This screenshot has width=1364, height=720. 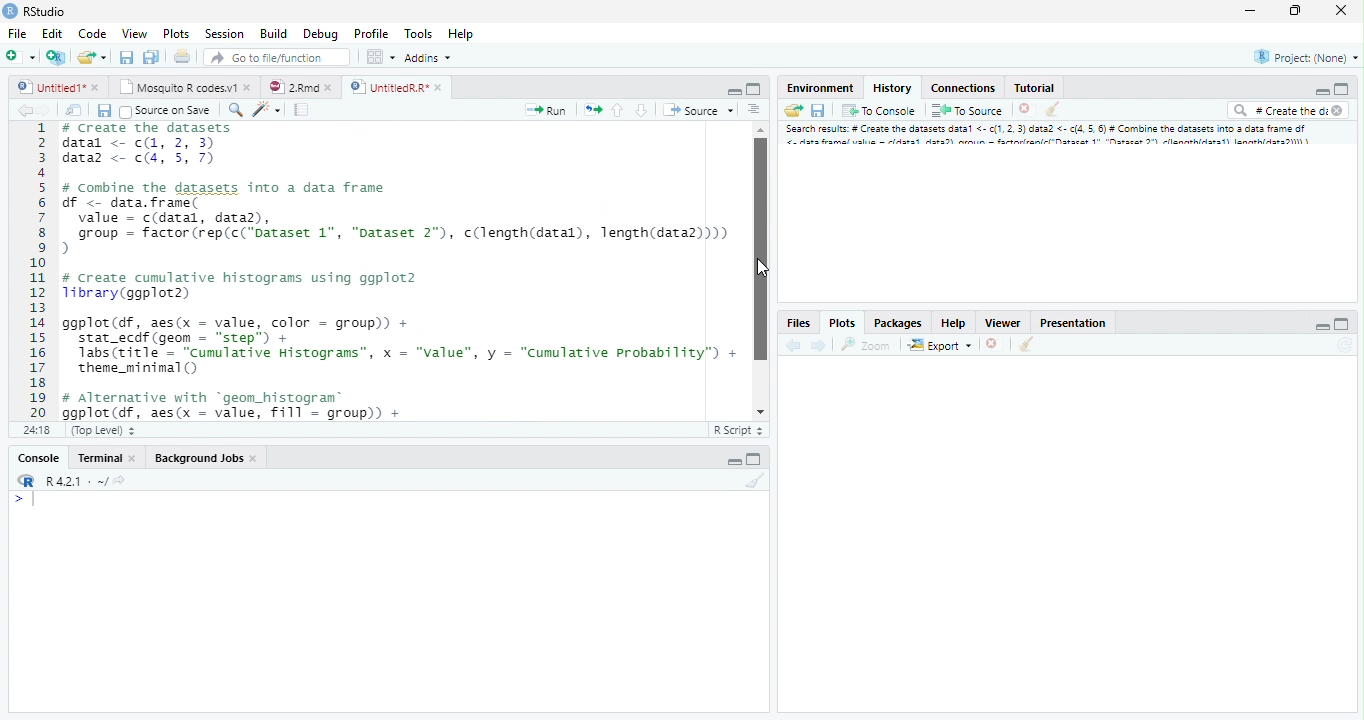 I want to click on Next, so click(x=43, y=114).